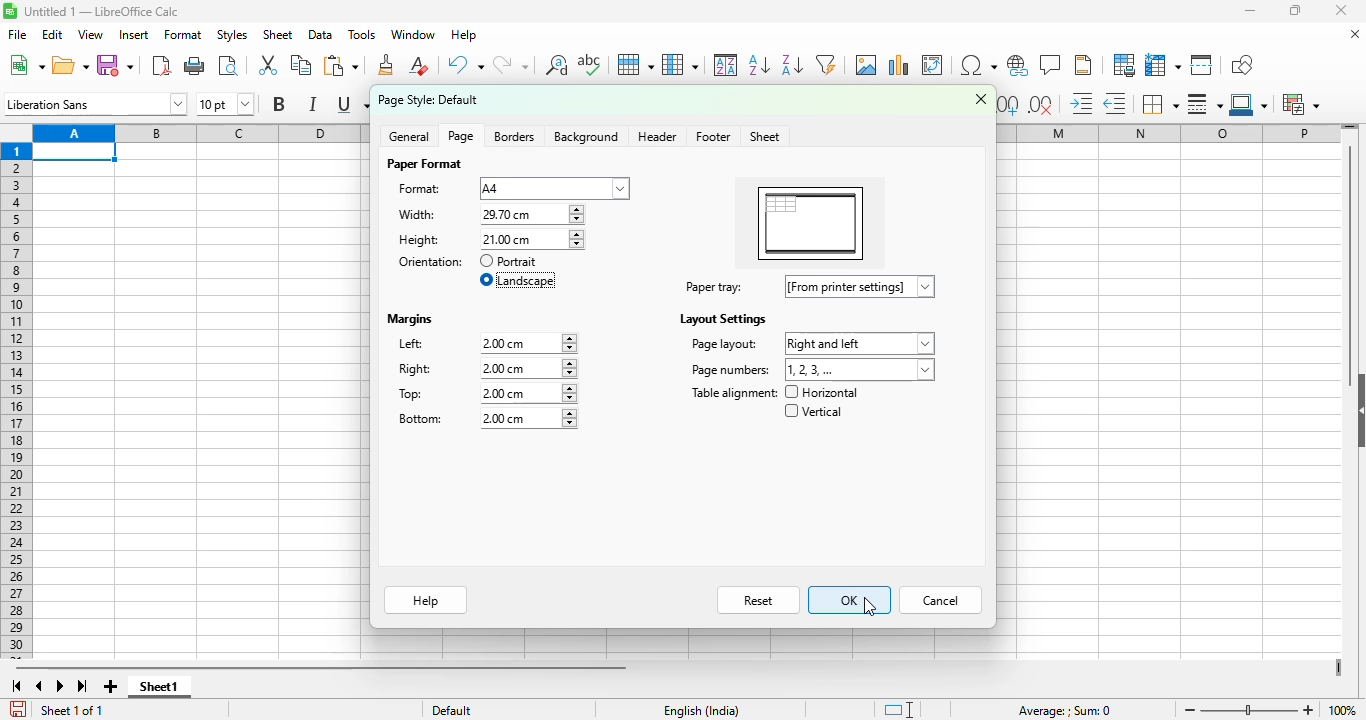  What do you see at coordinates (60, 686) in the screenshot?
I see `scroll to next sheet` at bounding box center [60, 686].